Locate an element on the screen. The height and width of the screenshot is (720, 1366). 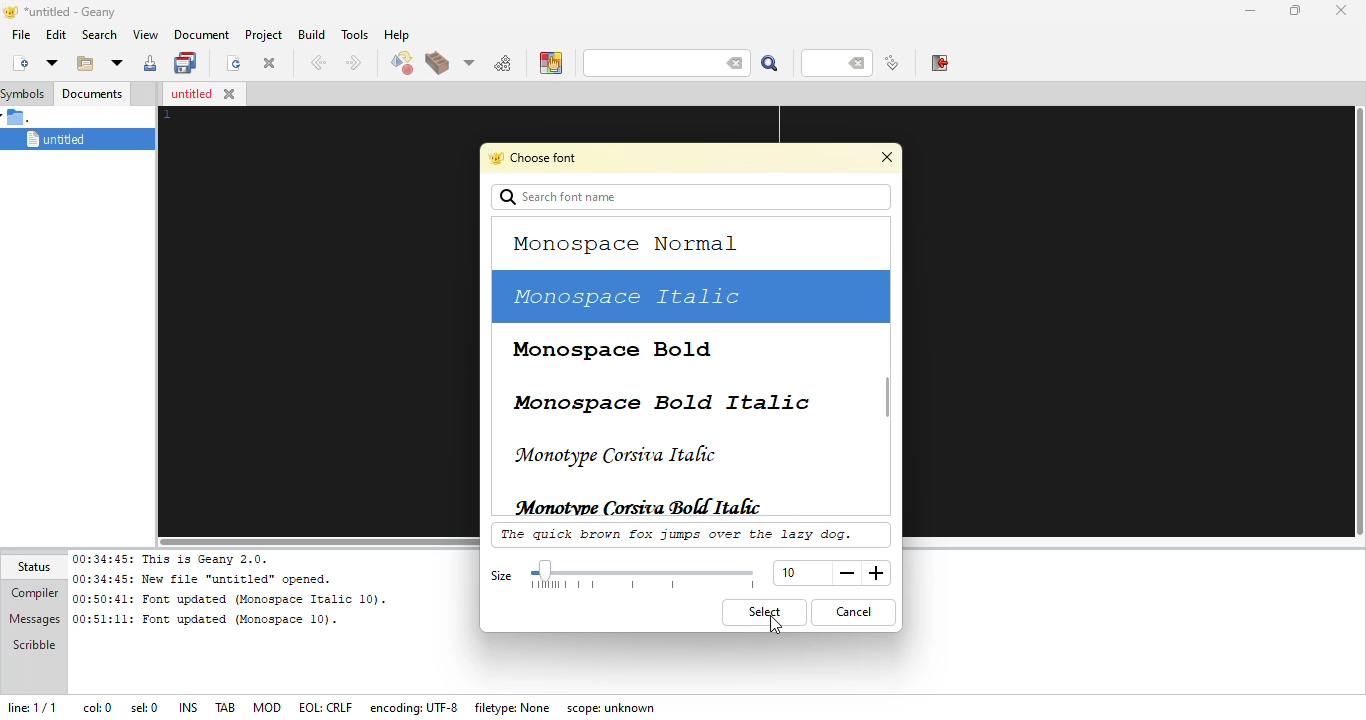
search font name is located at coordinates (568, 199).